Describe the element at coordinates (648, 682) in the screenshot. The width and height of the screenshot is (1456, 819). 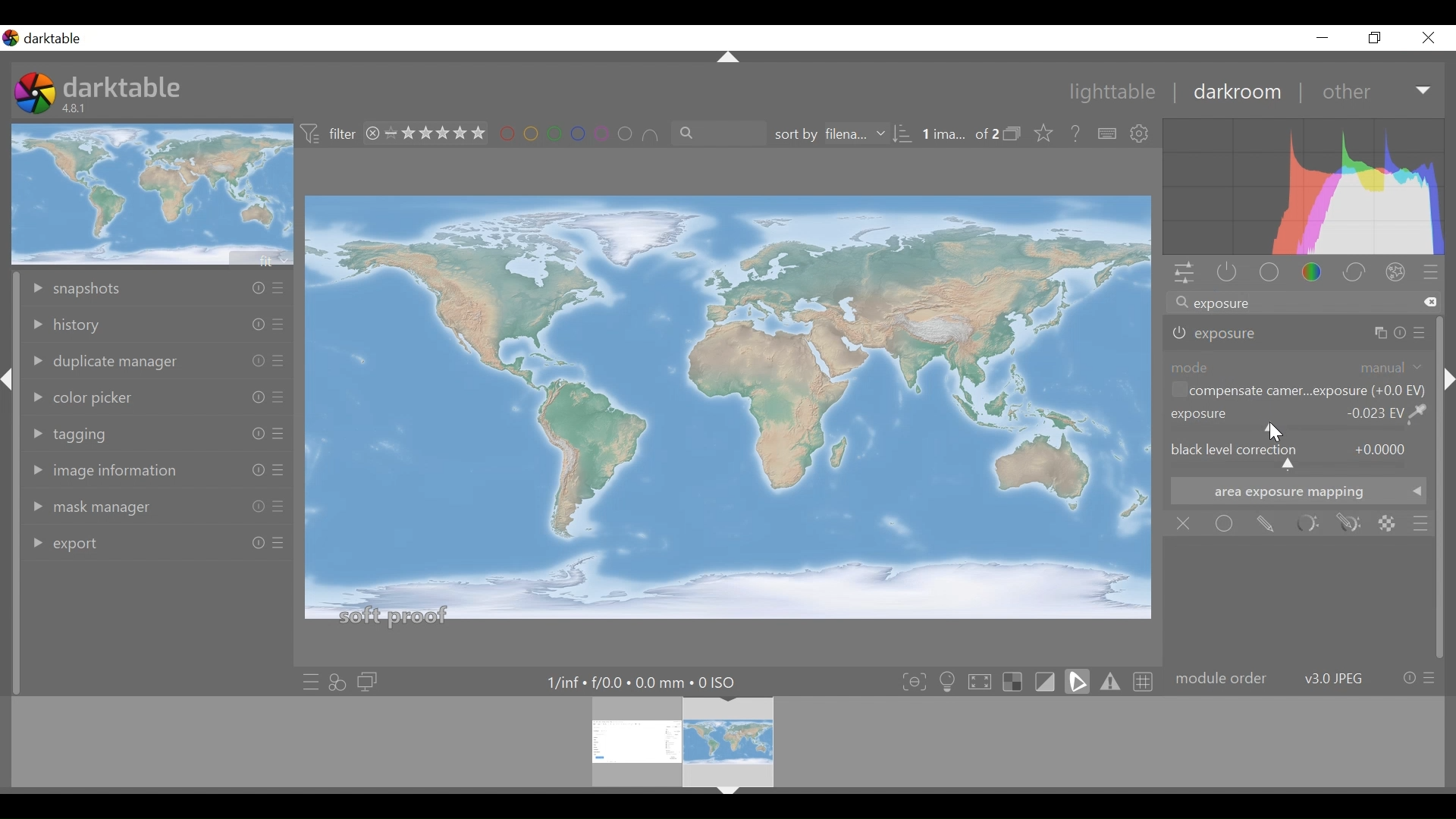
I see `Maximum Exposure` at that location.